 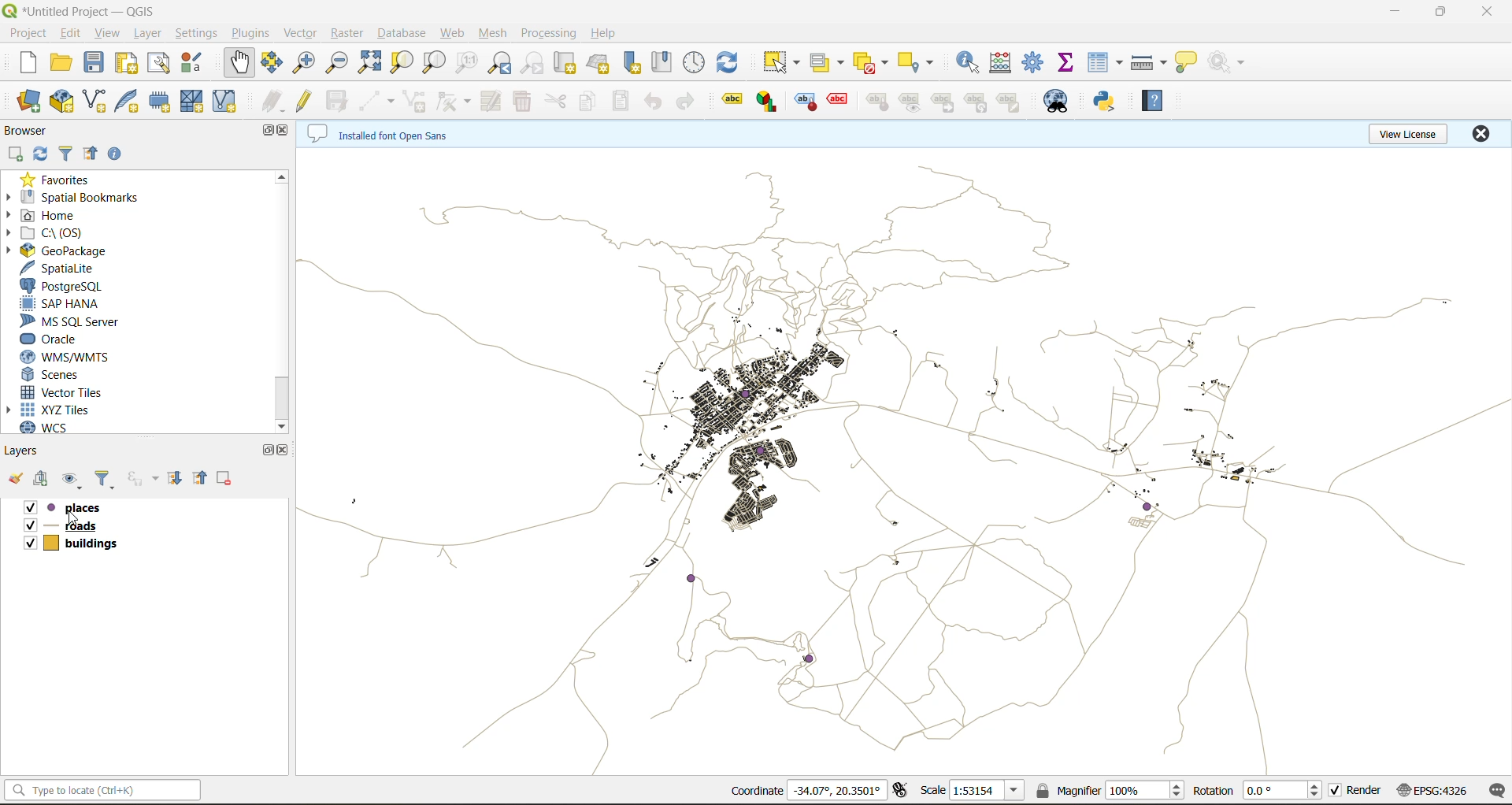 I want to click on vector, so click(x=302, y=33).